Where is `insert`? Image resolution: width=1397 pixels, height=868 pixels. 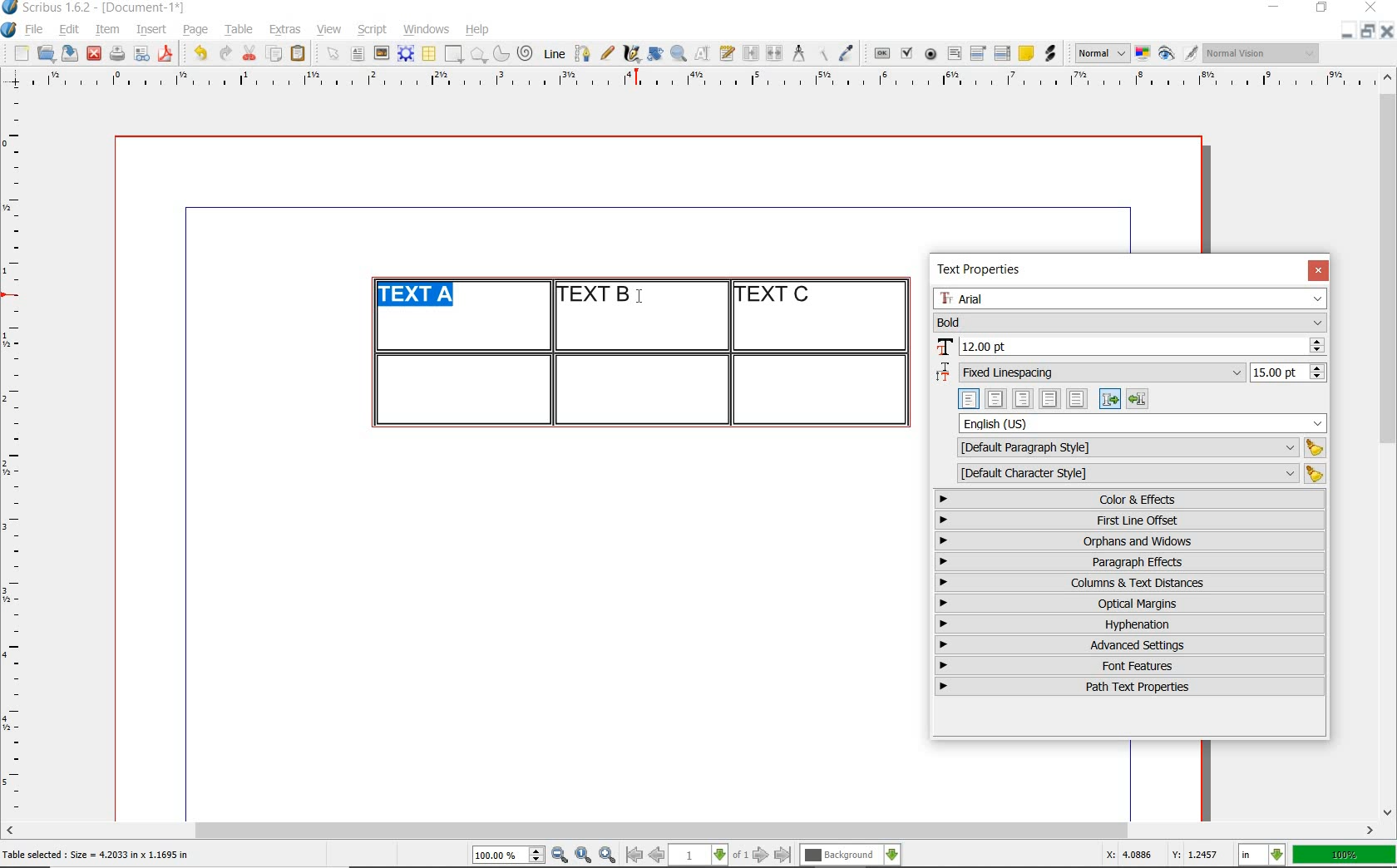
insert is located at coordinates (151, 30).